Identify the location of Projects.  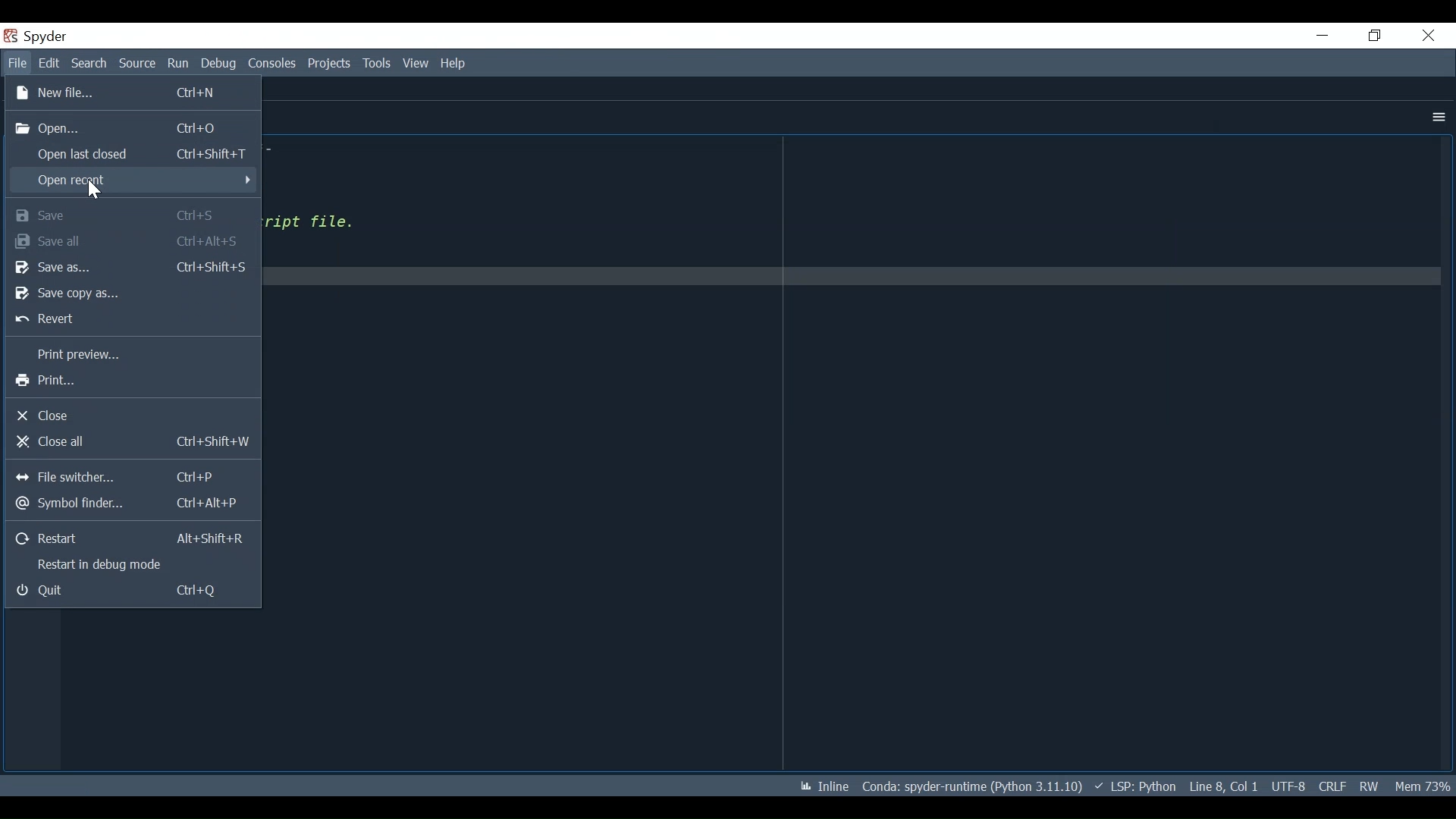
(329, 64).